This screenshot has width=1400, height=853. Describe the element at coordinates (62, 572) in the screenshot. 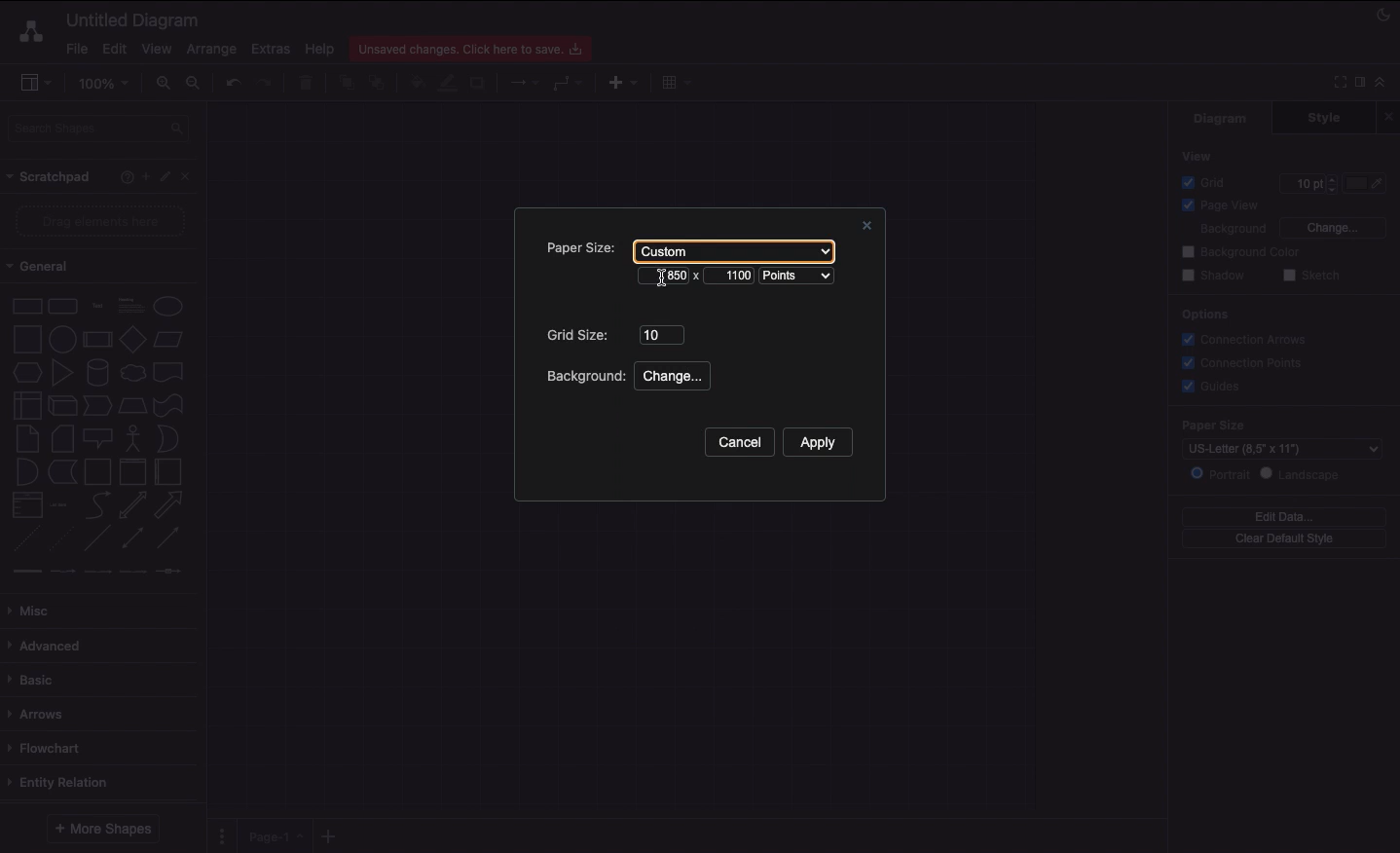

I see `connector 2` at that location.